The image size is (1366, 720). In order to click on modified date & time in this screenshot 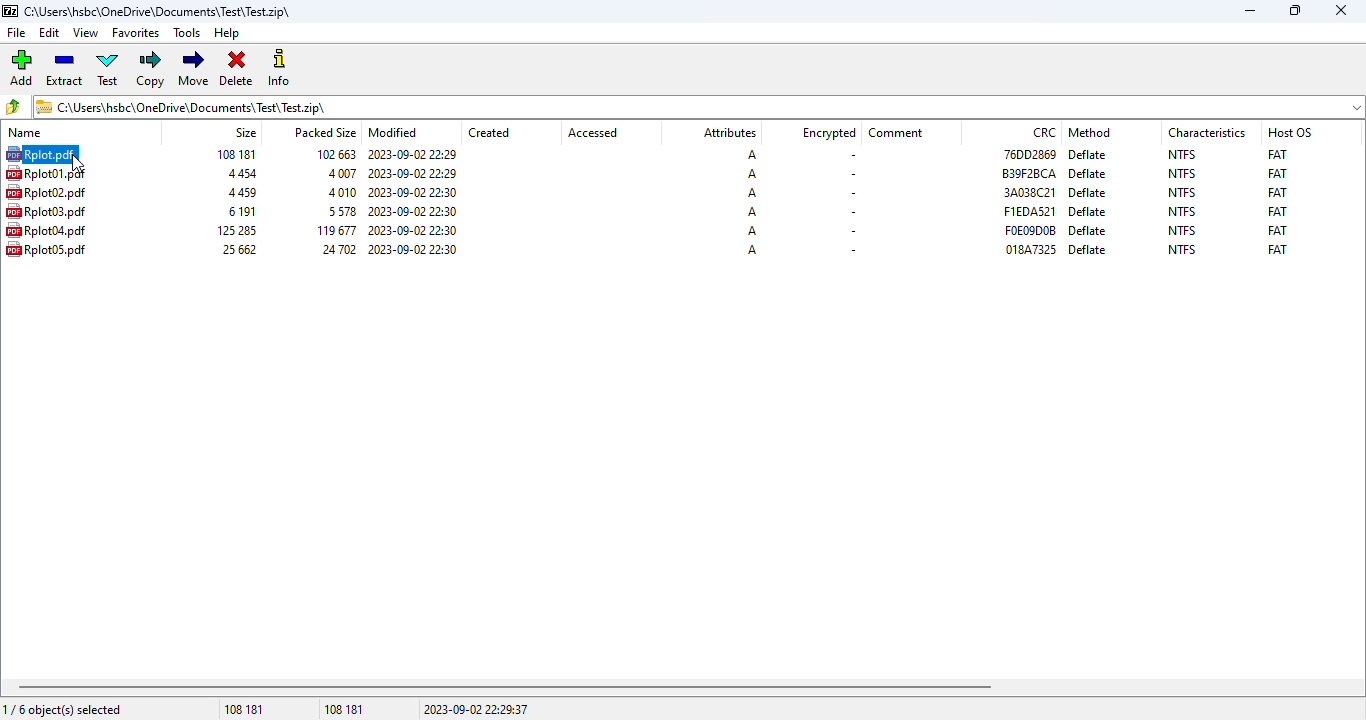, I will do `click(413, 173)`.